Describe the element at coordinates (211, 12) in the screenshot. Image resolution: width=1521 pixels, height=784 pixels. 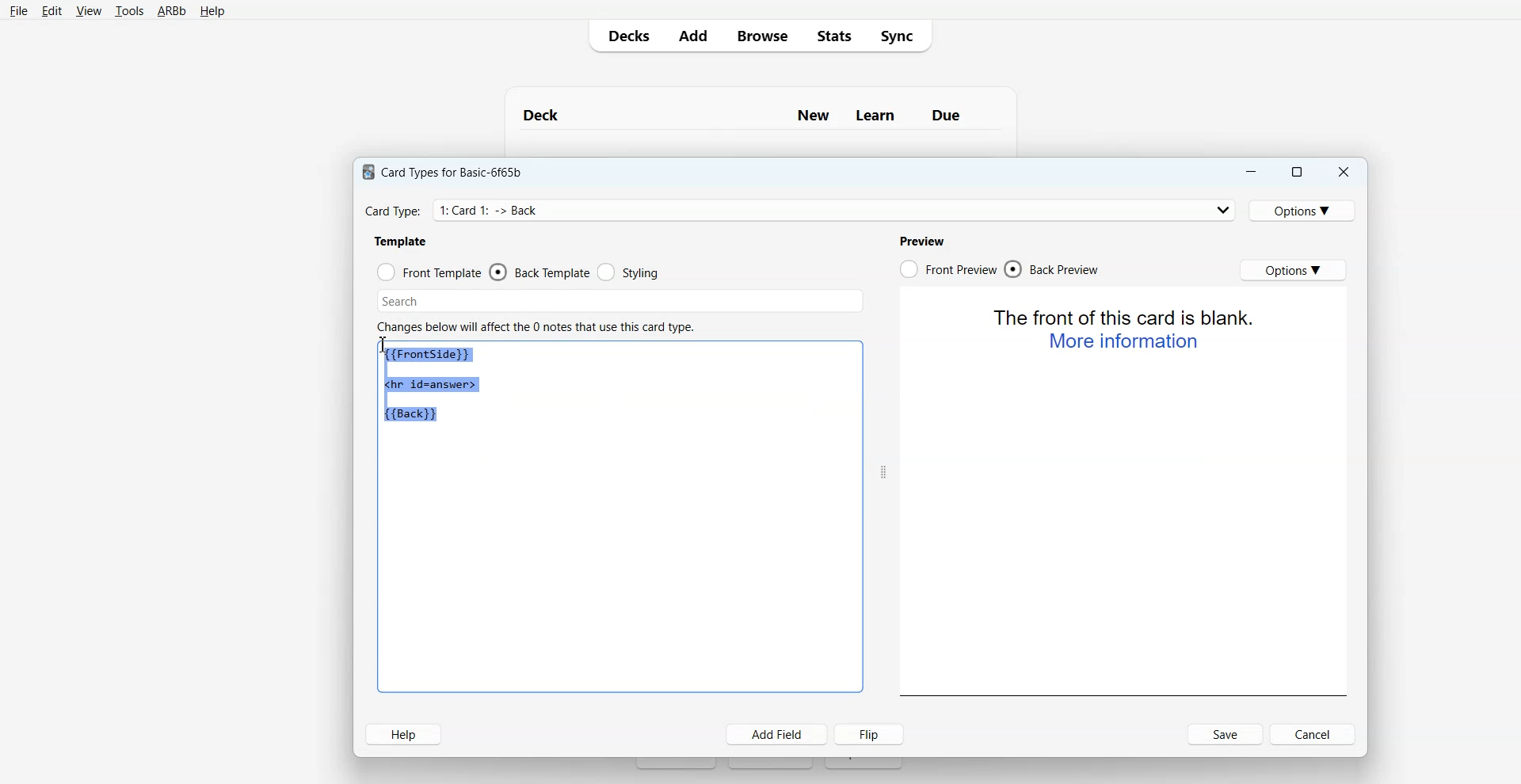
I see `Help` at that location.